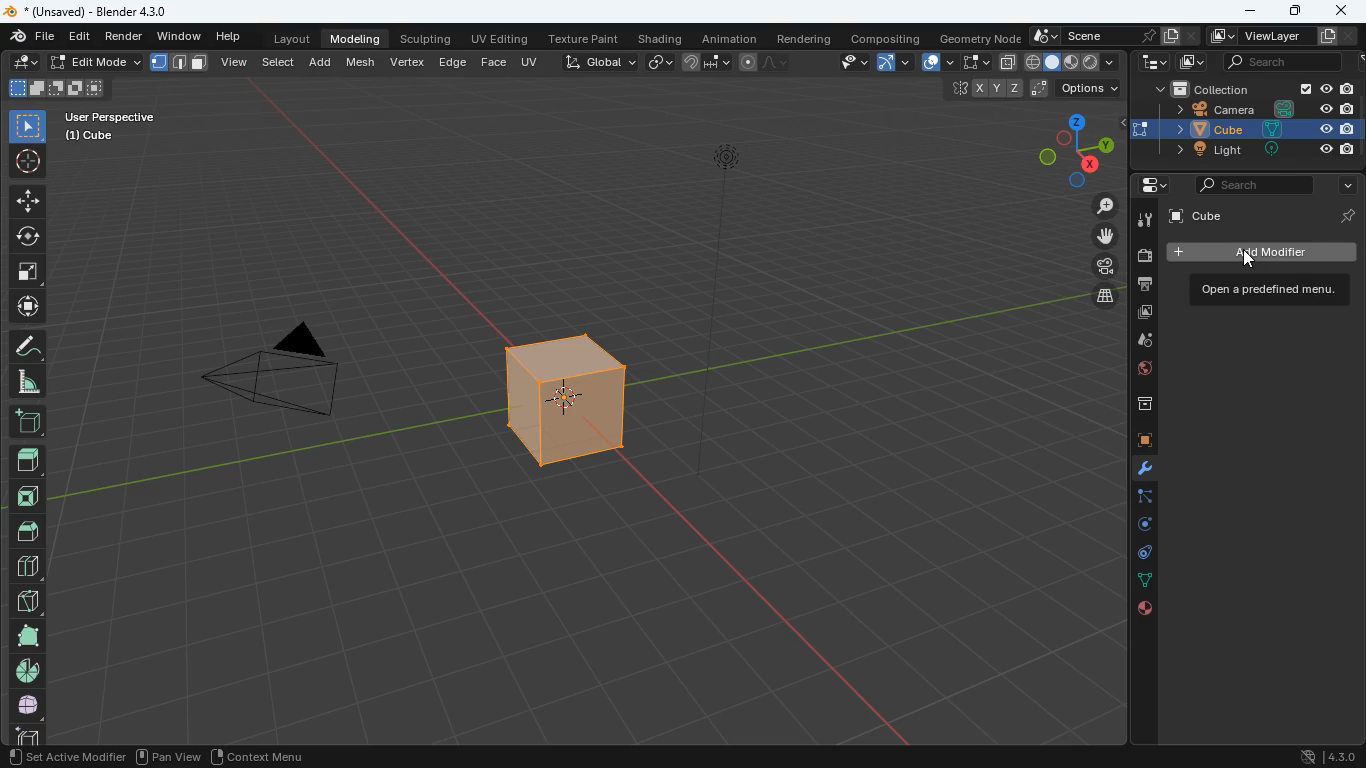  I want to click on motion, so click(1262, 392).